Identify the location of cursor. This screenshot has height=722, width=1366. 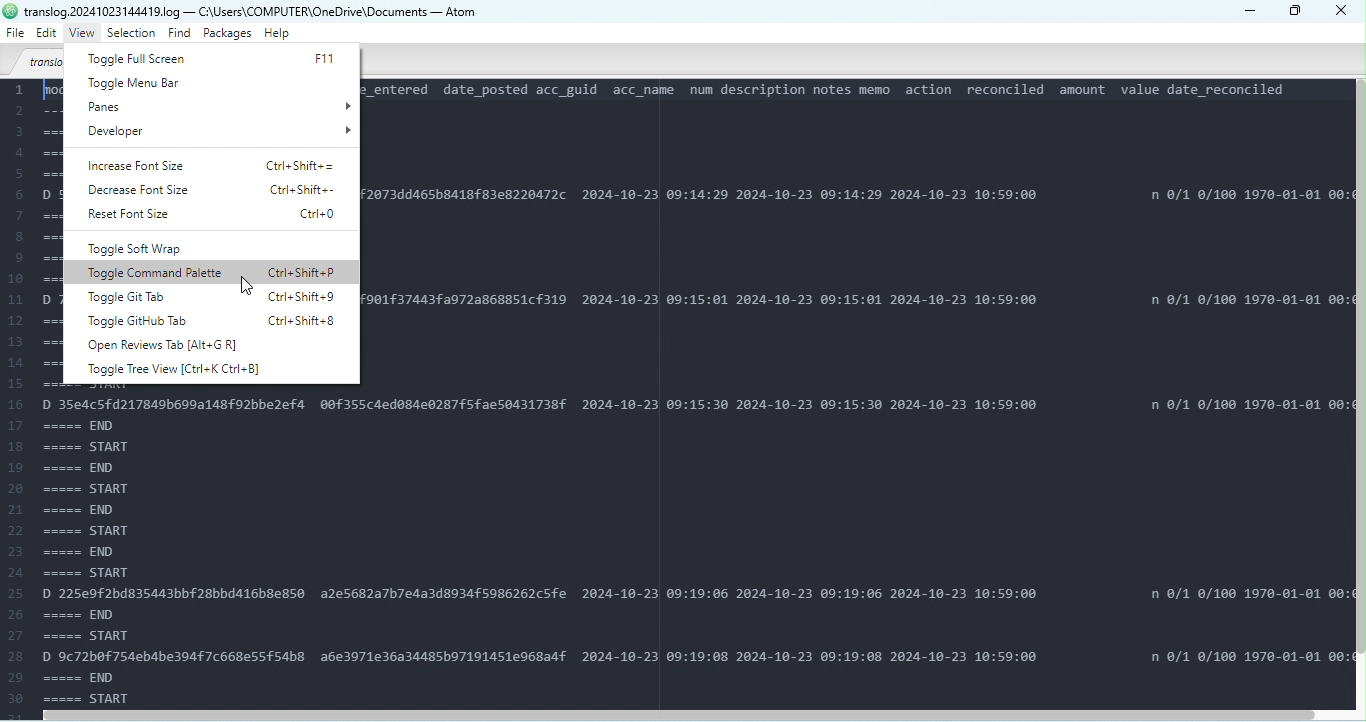
(250, 287).